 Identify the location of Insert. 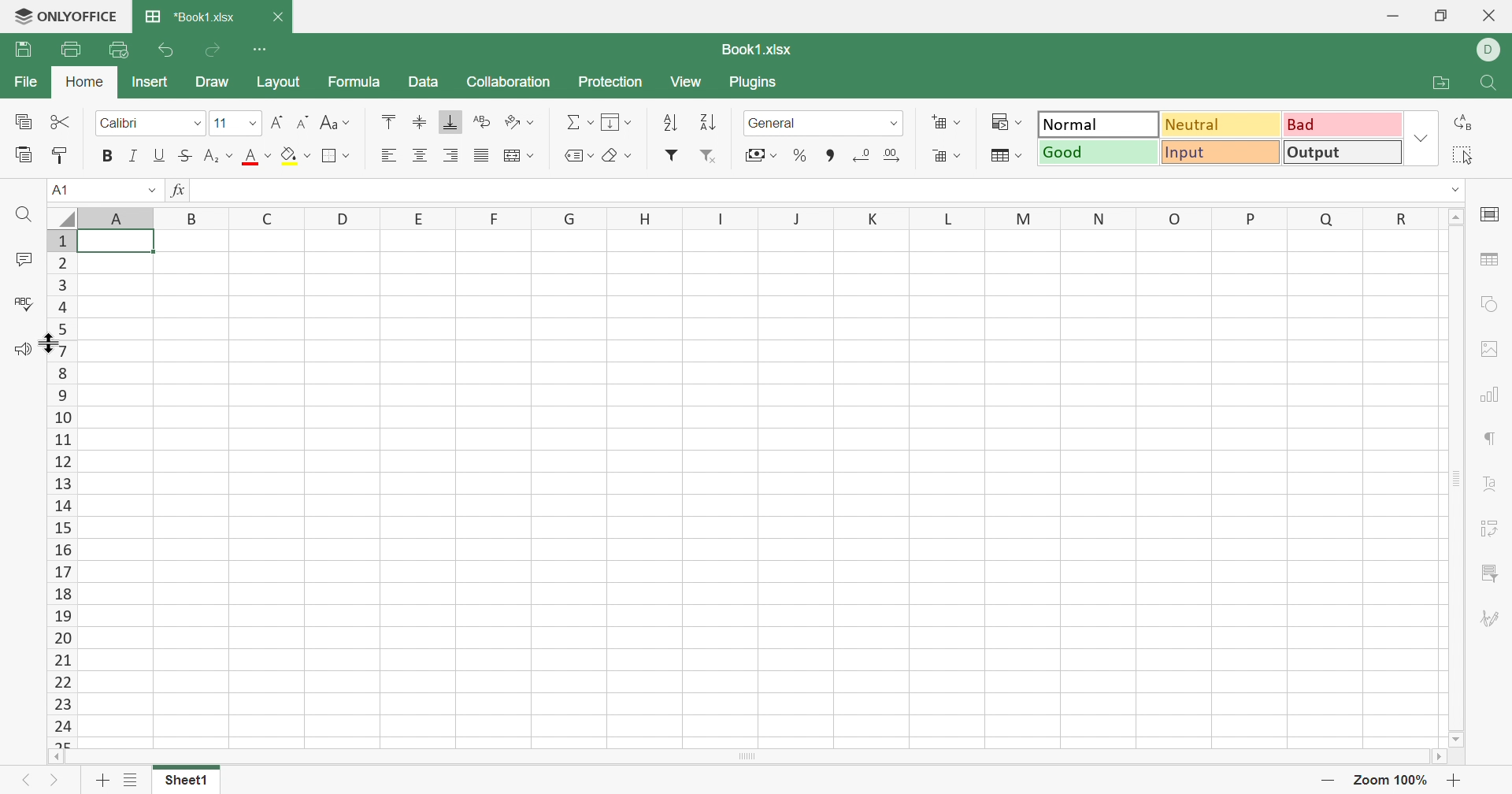
(150, 82).